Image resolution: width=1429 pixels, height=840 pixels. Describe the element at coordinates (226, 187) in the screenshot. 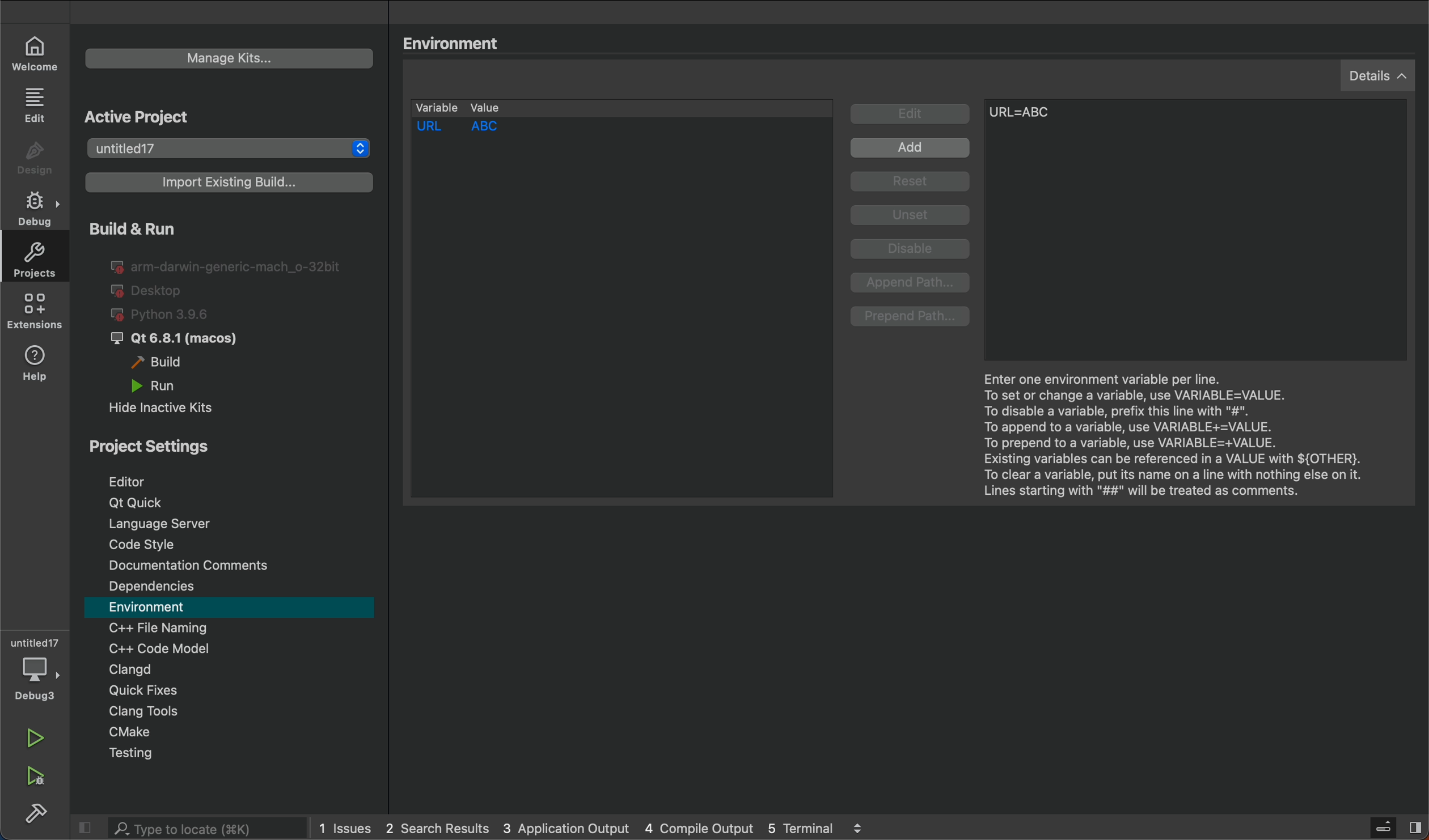

I see `import build` at that location.